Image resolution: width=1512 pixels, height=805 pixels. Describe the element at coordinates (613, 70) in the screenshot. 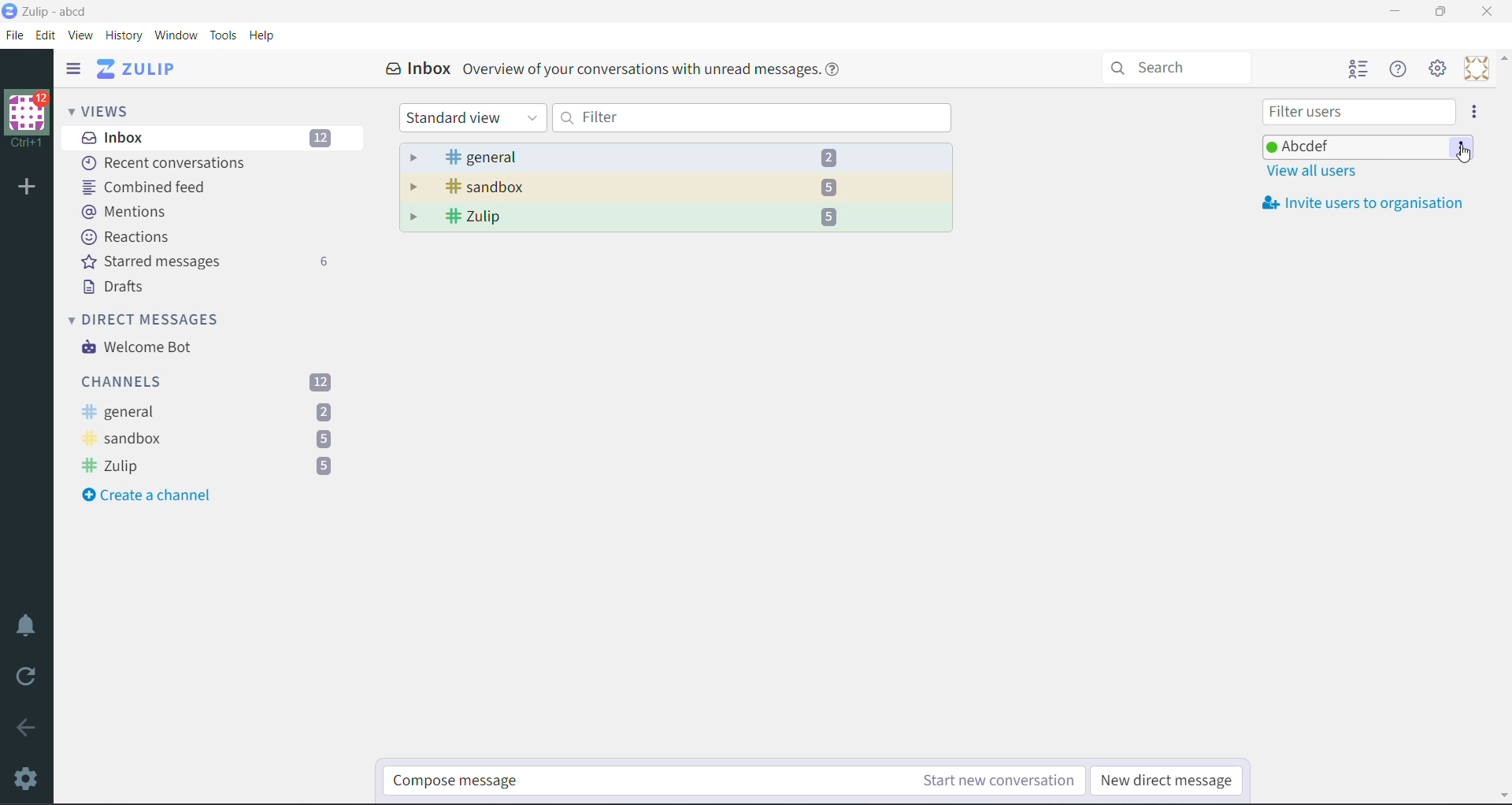

I see `Inbox Overview of your conversations with unread messages` at that location.